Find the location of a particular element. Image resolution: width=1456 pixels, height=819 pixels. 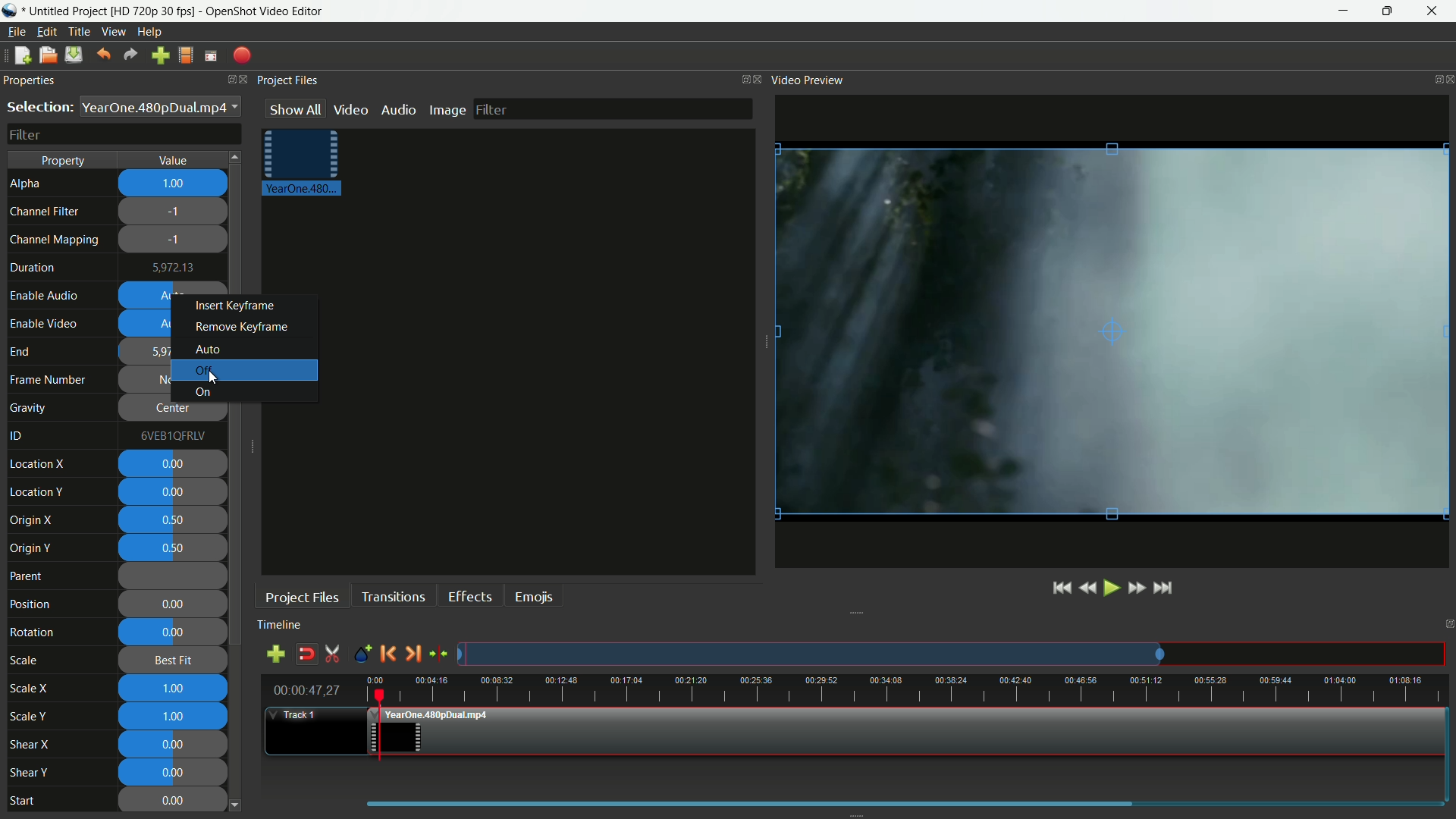

1.00 is located at coordinates (174, 717).